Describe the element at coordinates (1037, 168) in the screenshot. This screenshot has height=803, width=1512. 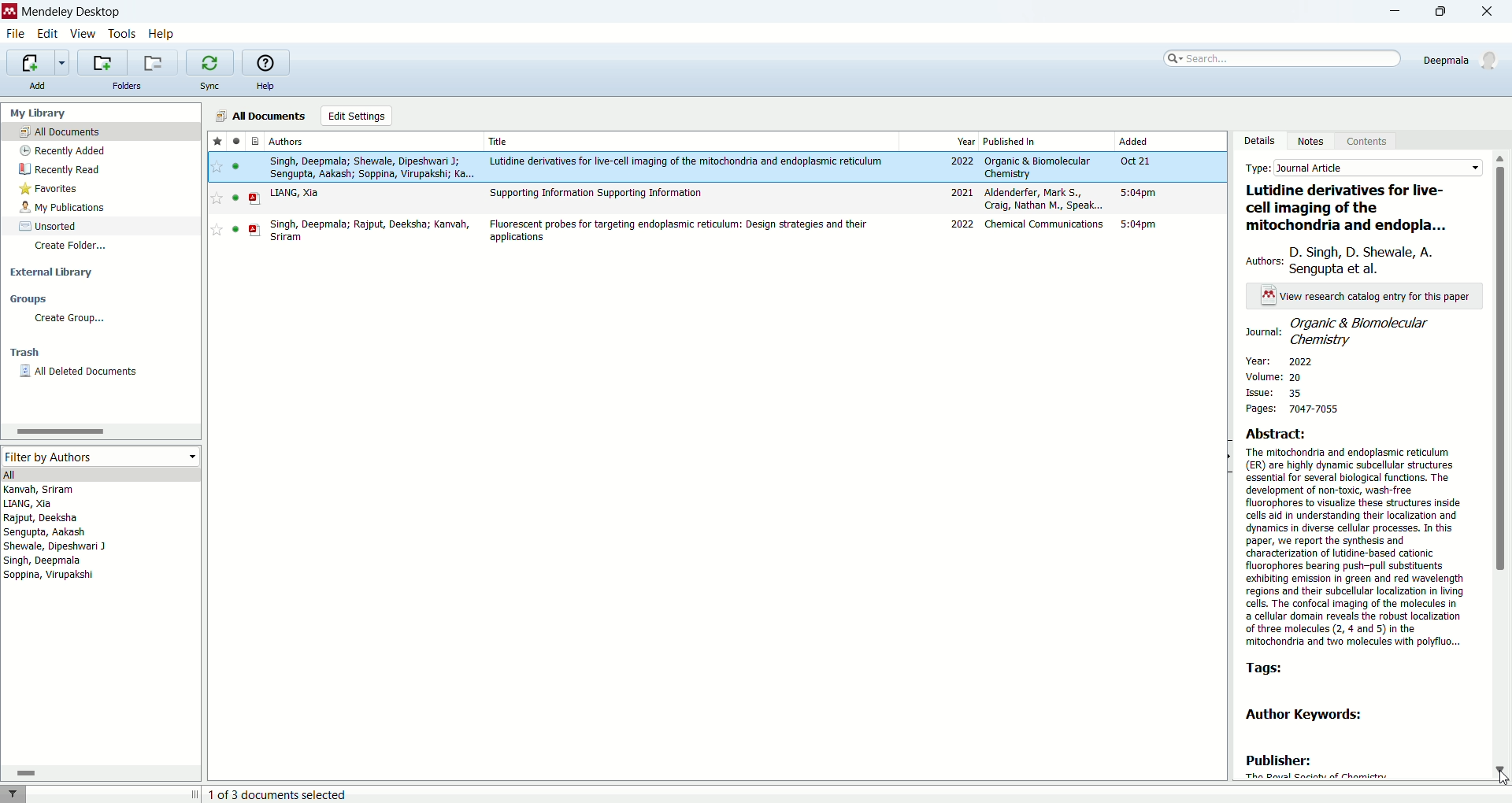
I see `organic & biomolecular chemistry` at that location.